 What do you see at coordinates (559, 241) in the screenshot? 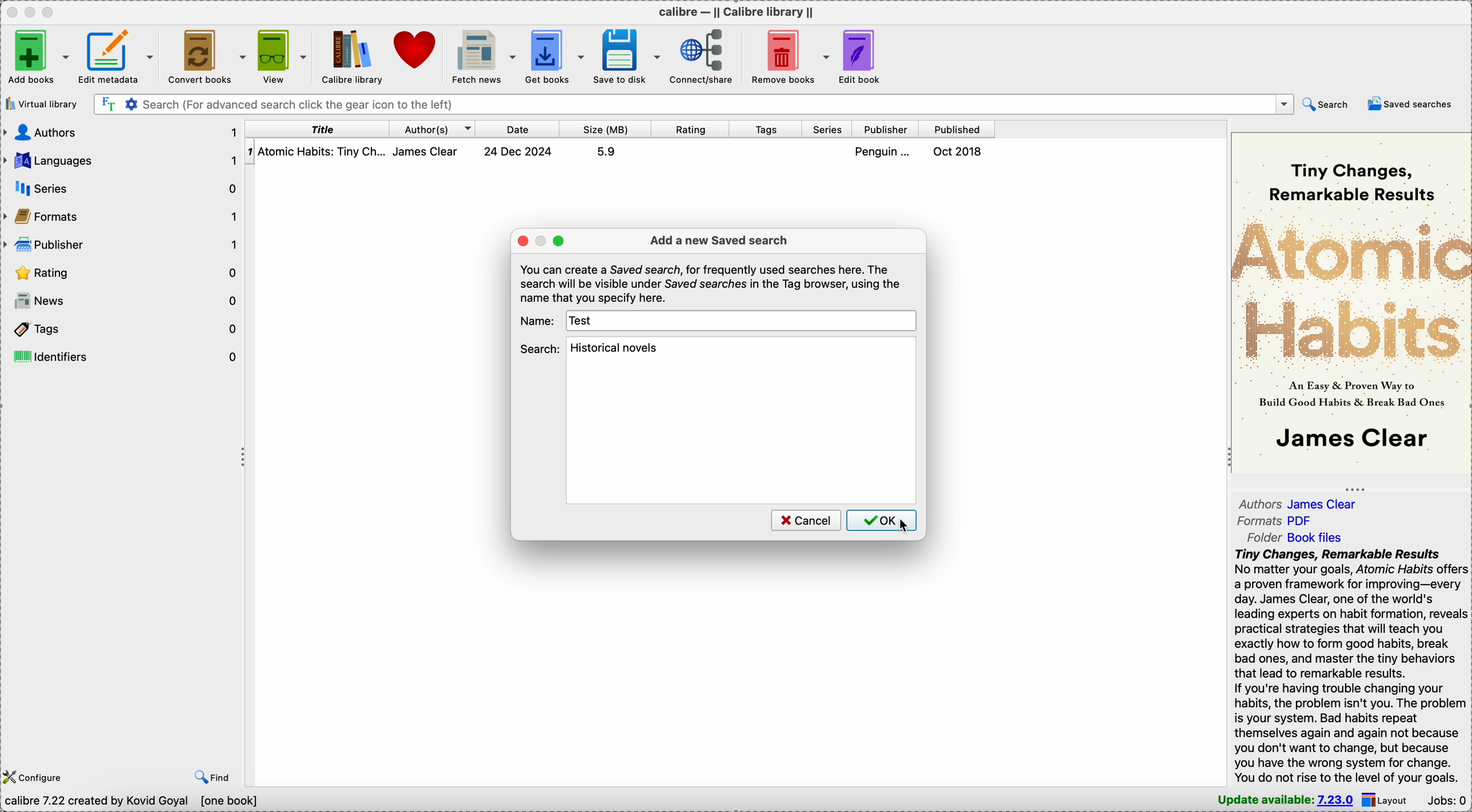
I see `maximize` at bounding box center [559, 241].